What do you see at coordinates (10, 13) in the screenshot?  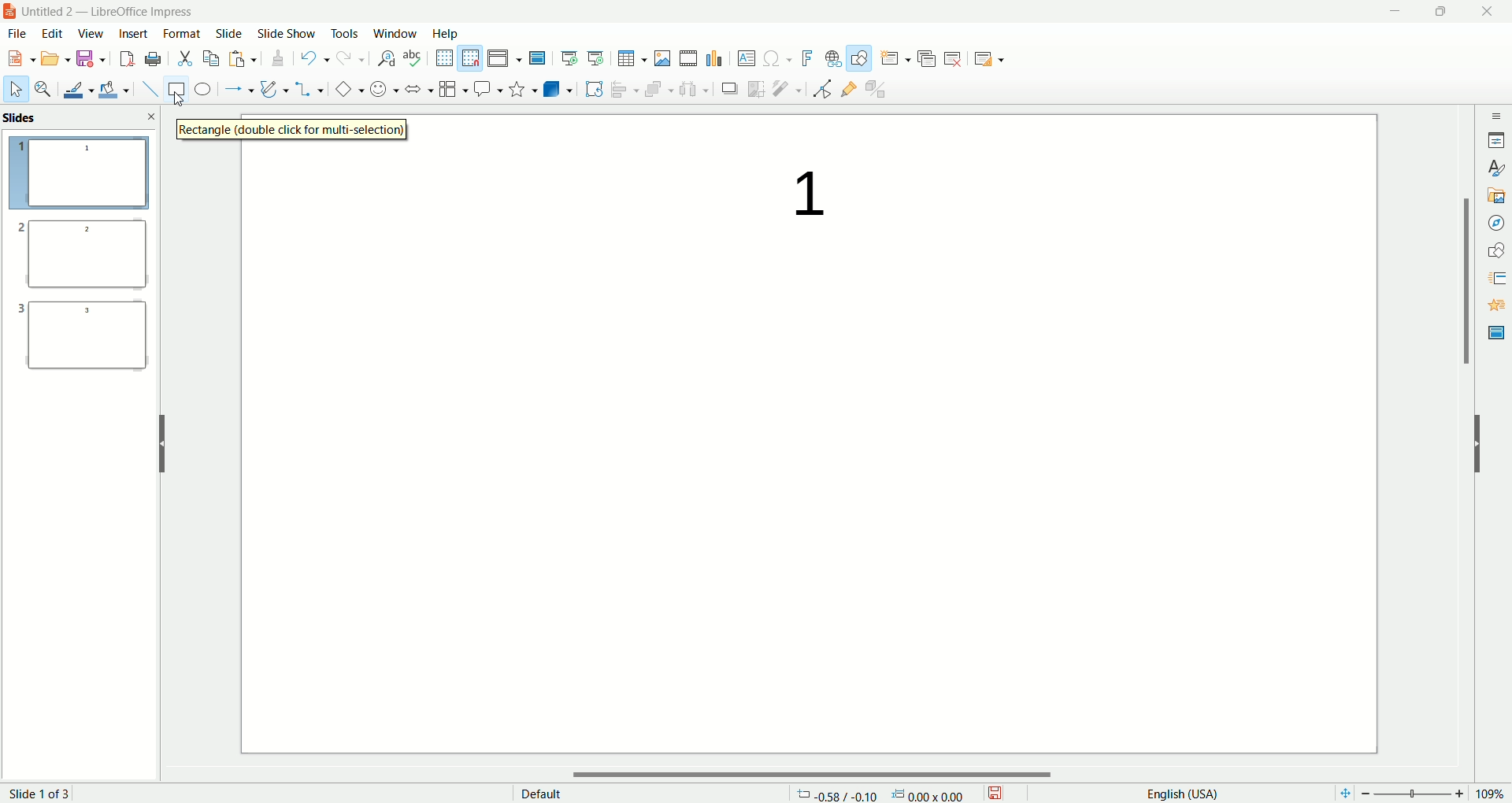 I see `logo` at bounding box center [10, 13].